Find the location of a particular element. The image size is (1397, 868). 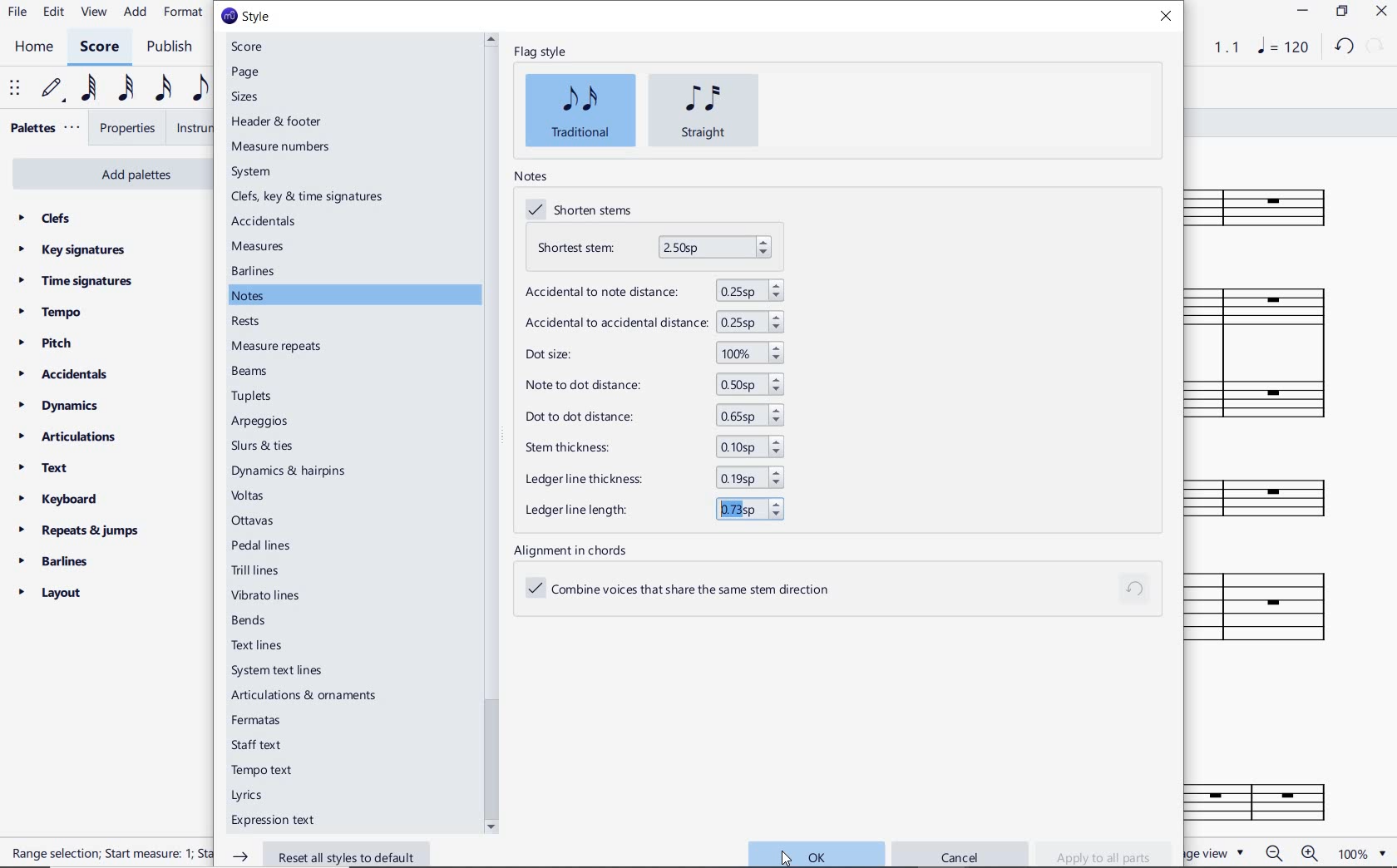

32nd note is located at coordinates (126, 91).